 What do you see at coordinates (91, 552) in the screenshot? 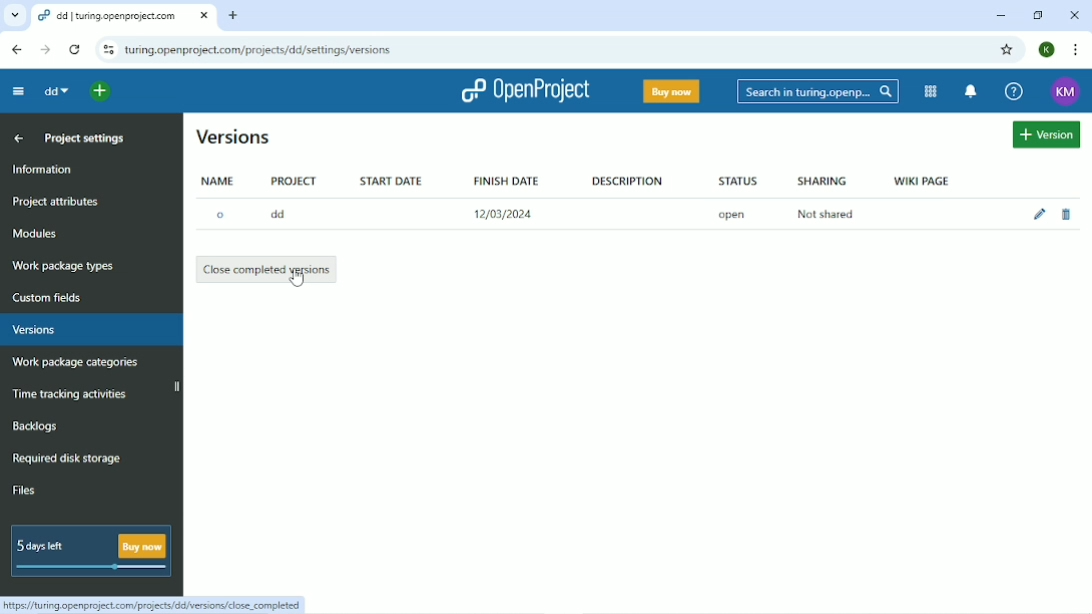
I see `5 days left` at bounding box center [91, 552].